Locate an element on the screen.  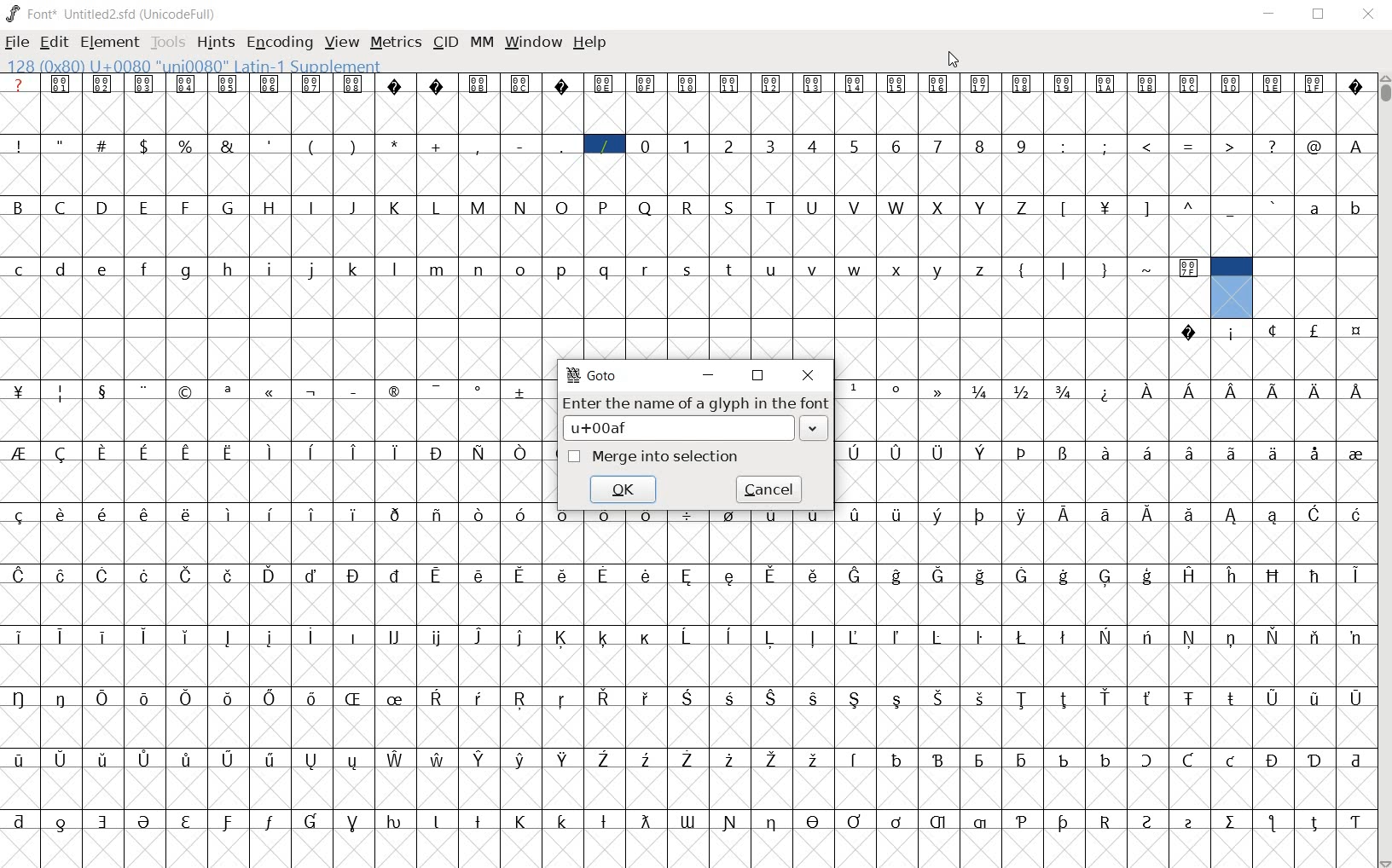
Symbol is located at coordinates (146, 451).